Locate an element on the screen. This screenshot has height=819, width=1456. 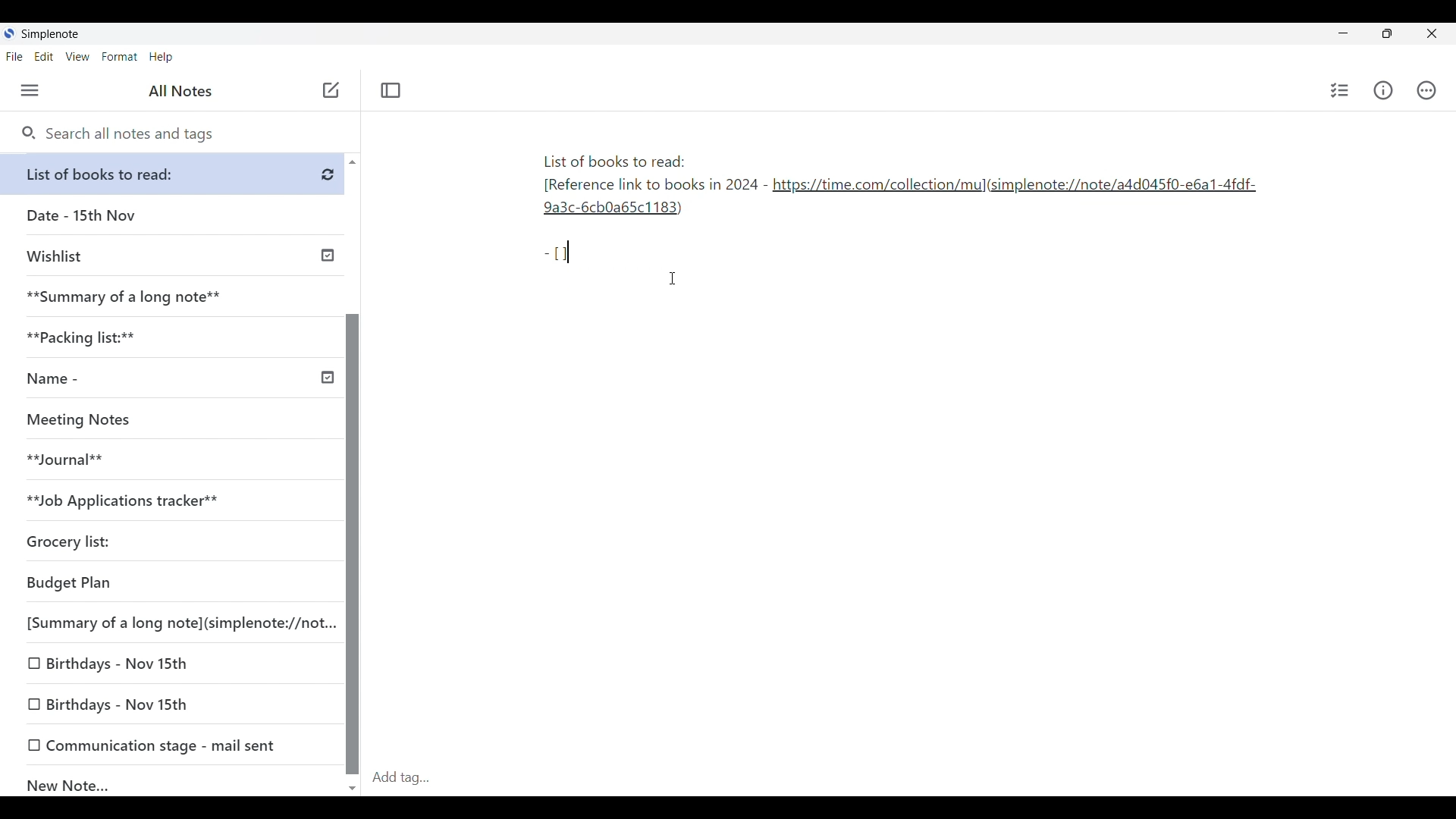
Info is located at coordinates (1383, 90).